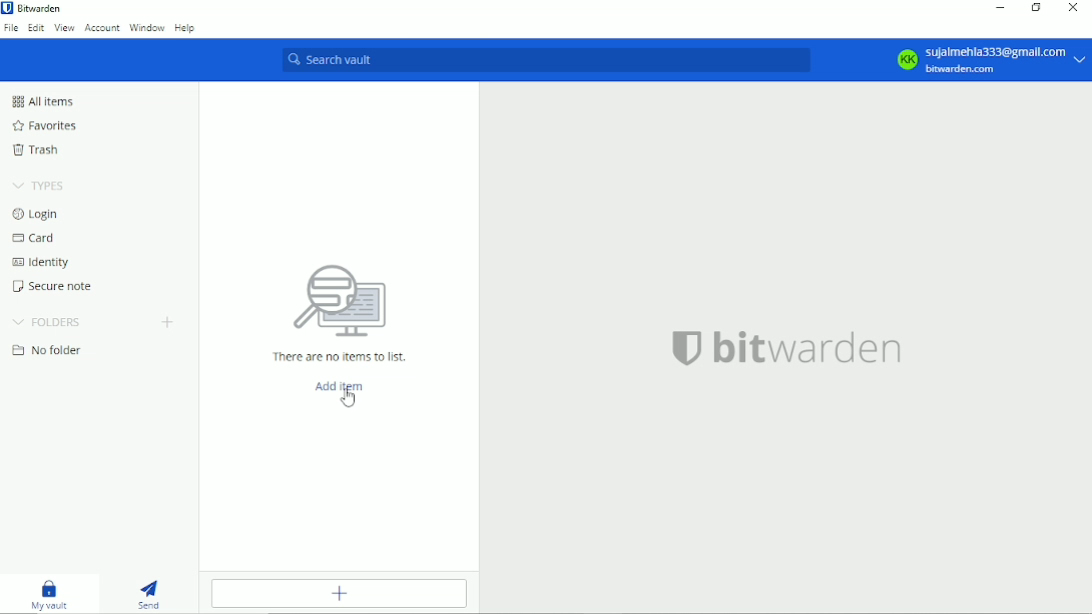 Image resolution: width=1092 pixels, height=614 pixels. Describe the element at coordinates (44, 125) in the screenshot. I see `Favorites` at that location.